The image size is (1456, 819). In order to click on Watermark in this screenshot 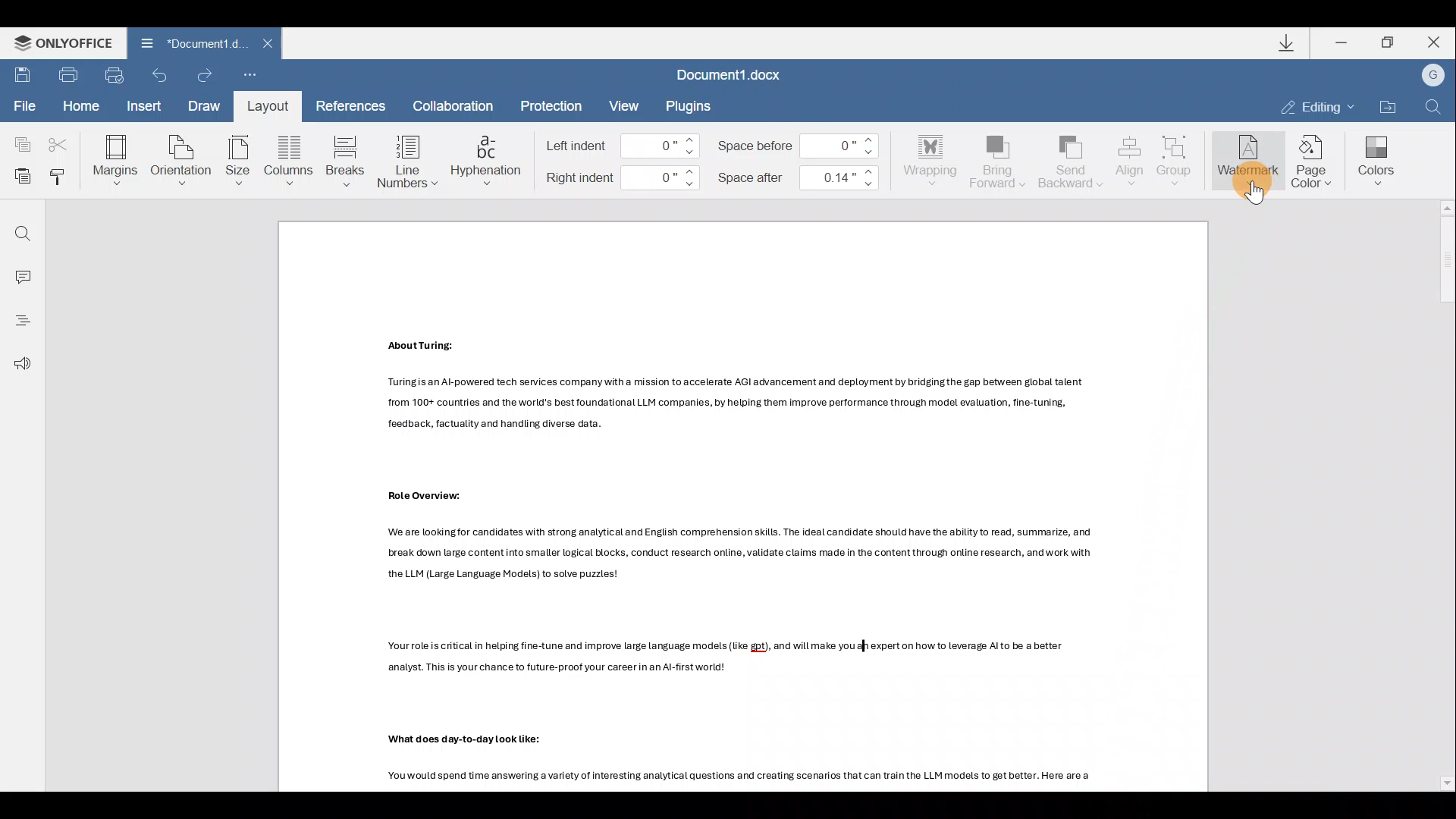, I will do `click(1247, 162)`.